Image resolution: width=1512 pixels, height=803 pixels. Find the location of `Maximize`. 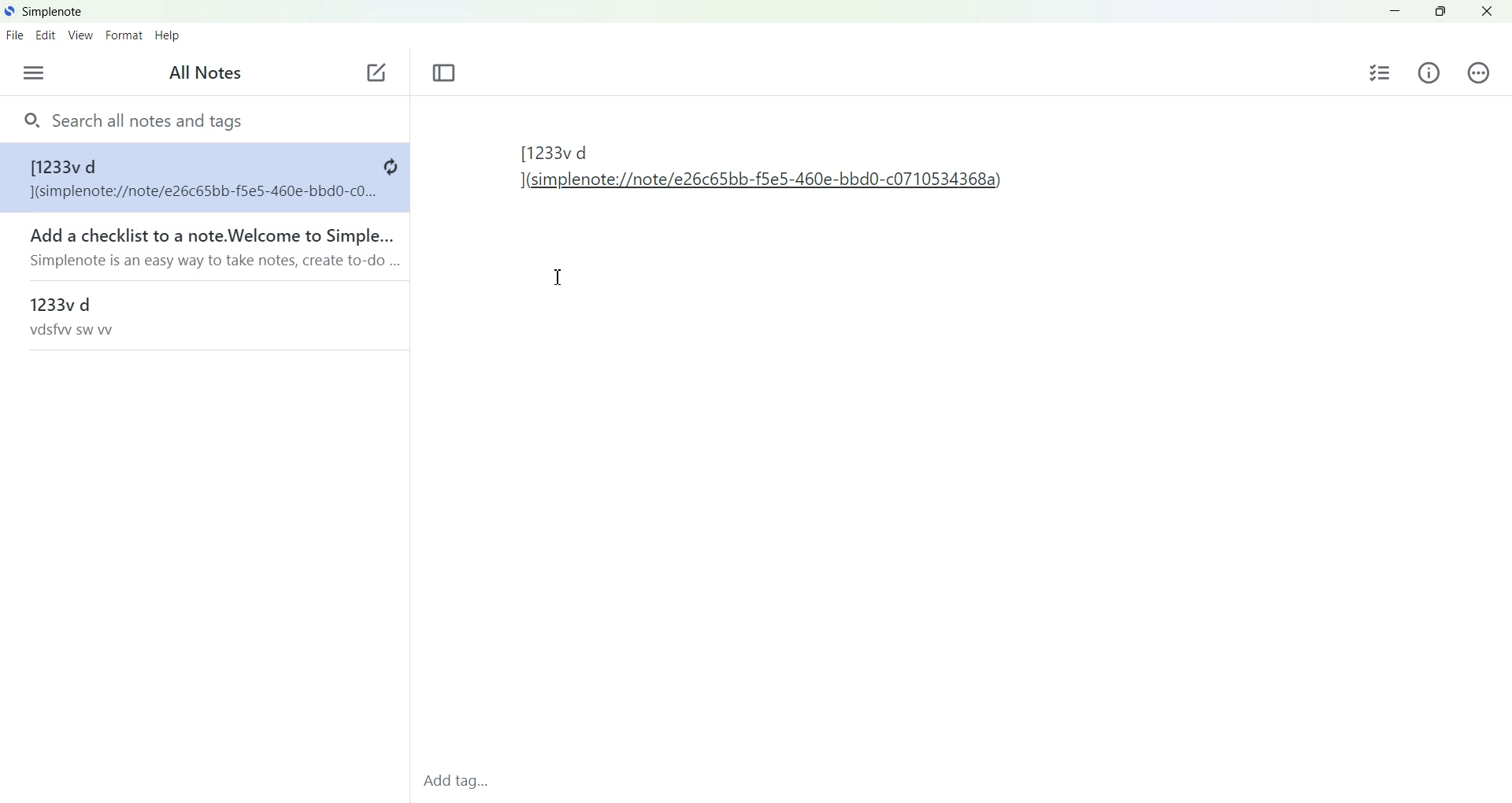

Maximize is located at coordinates (1442, 12).